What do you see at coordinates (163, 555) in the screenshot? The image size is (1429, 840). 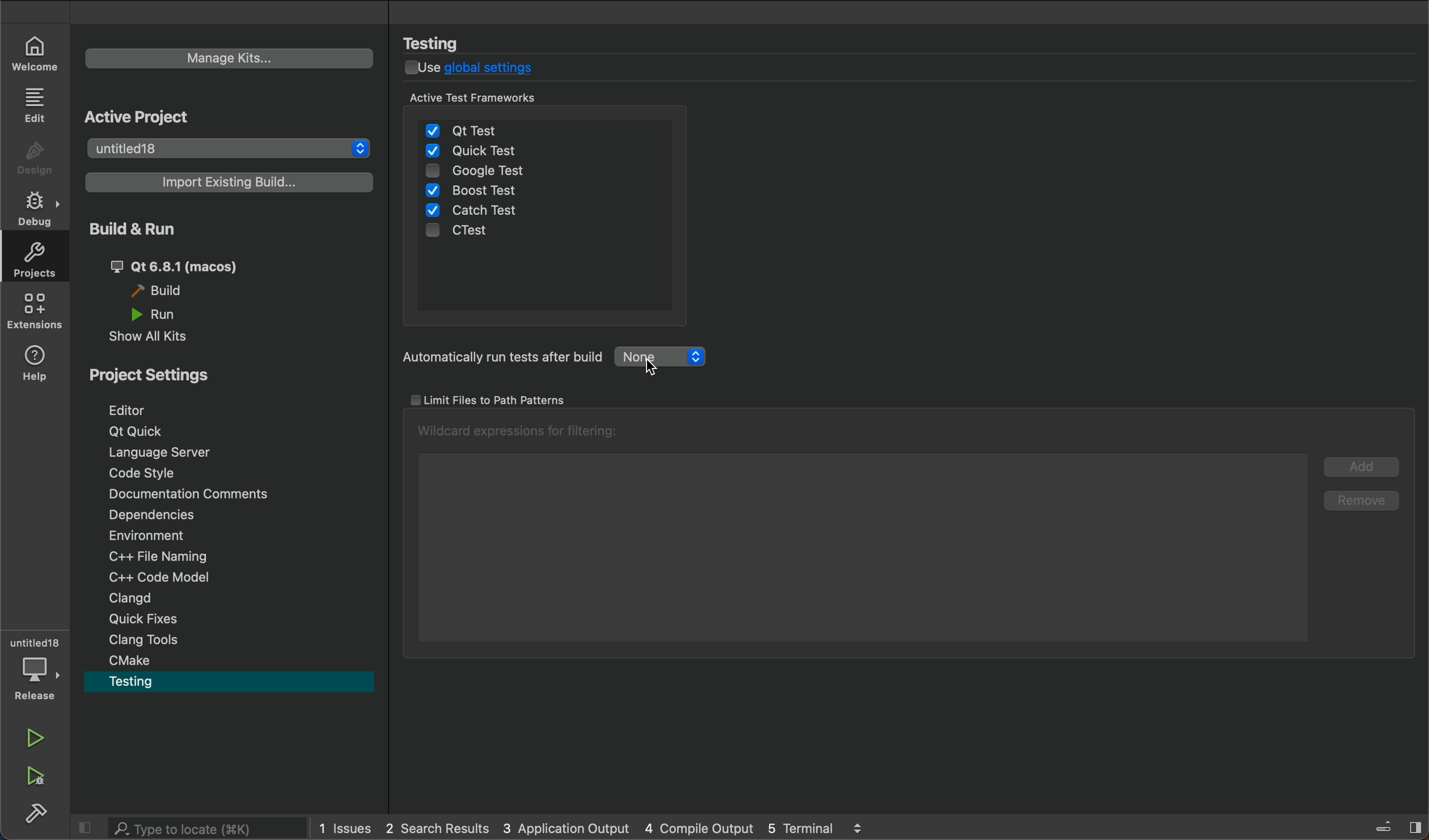 I see `c++ file naming` at bounding box center [163, 555].